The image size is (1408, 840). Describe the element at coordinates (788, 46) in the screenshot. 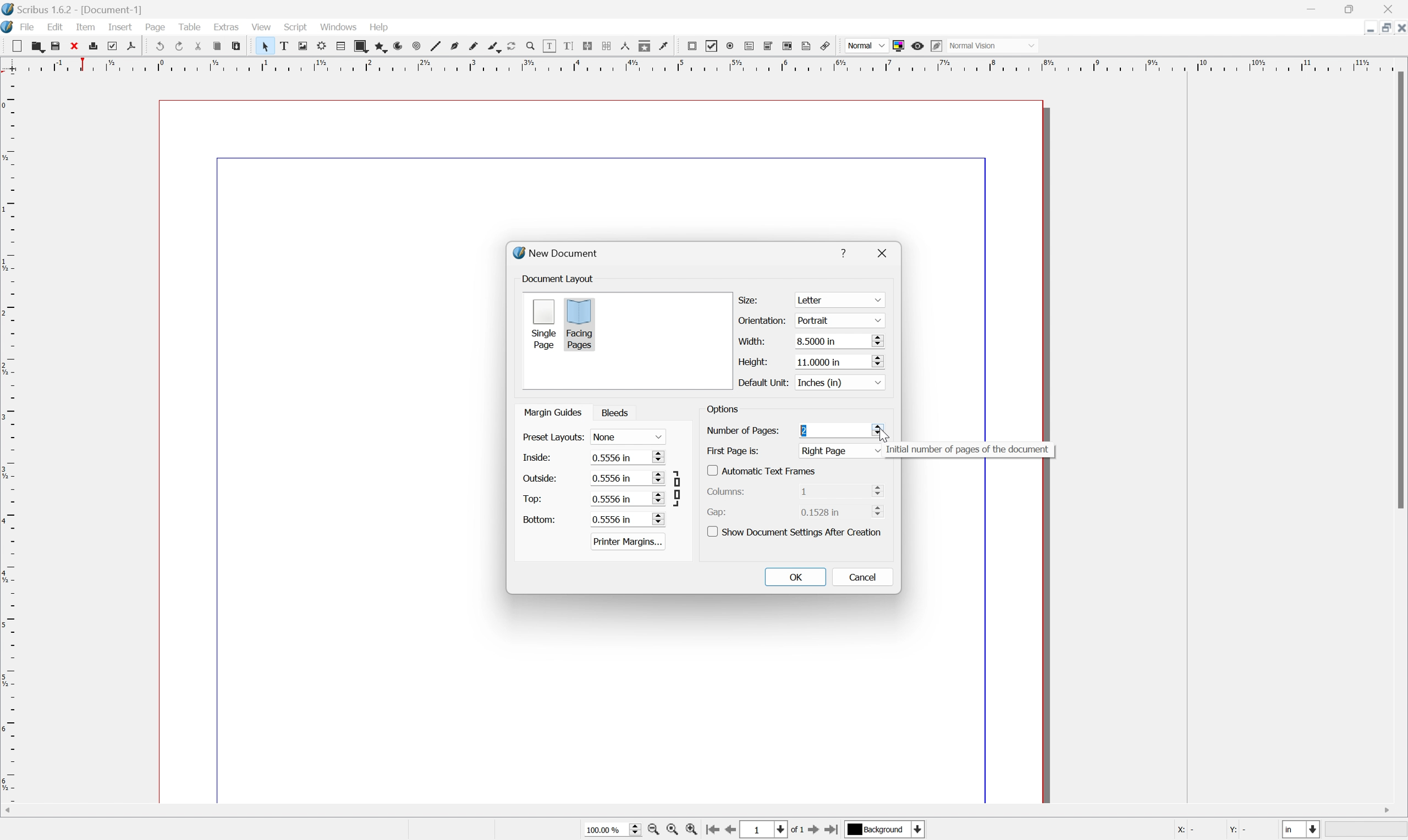

I see `pdf list box` at that location.